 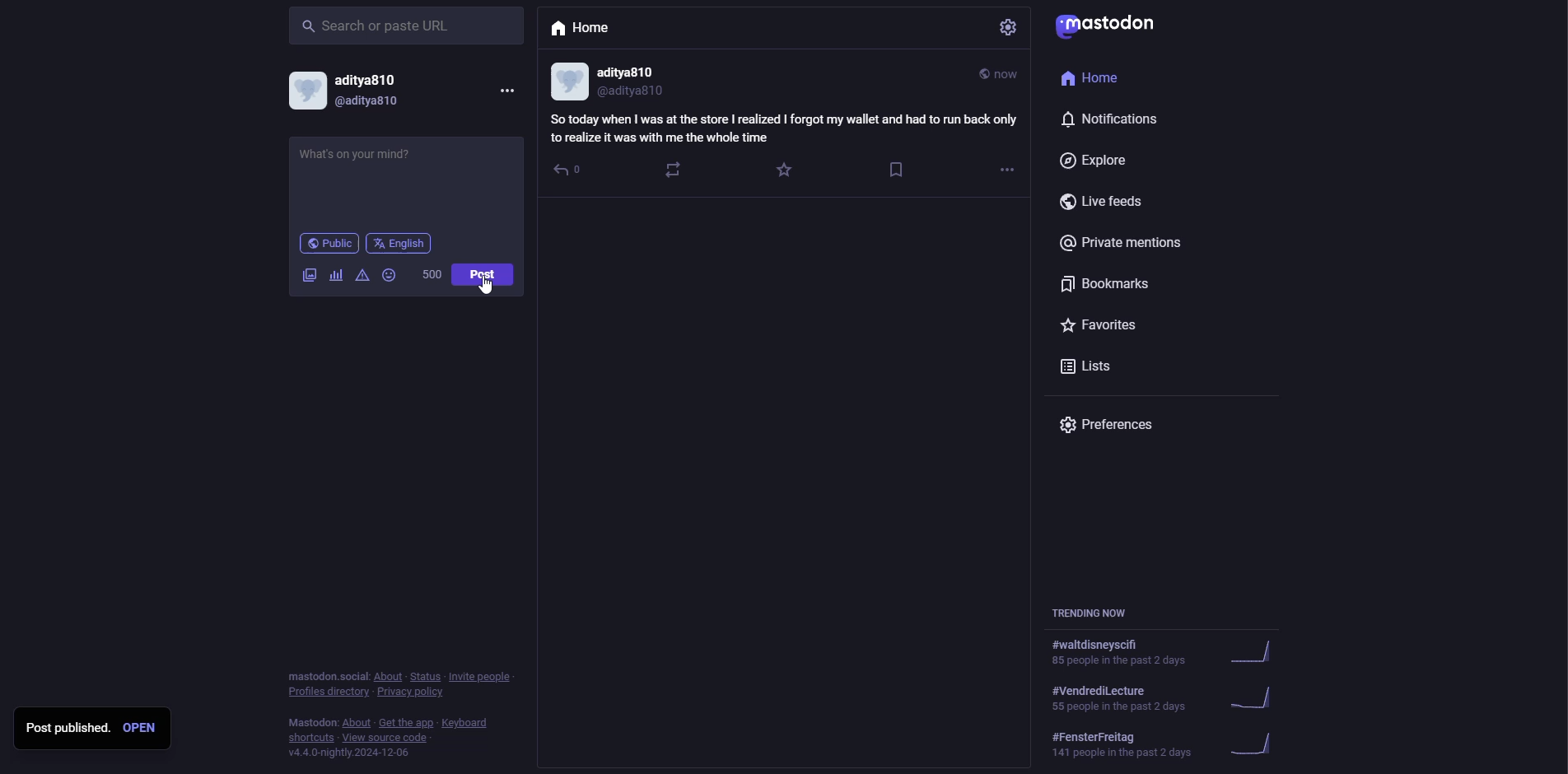 What do you see at coordinates (433, 273) in the screenshot?
I see `words remaining` at bounding box center [433, 273].